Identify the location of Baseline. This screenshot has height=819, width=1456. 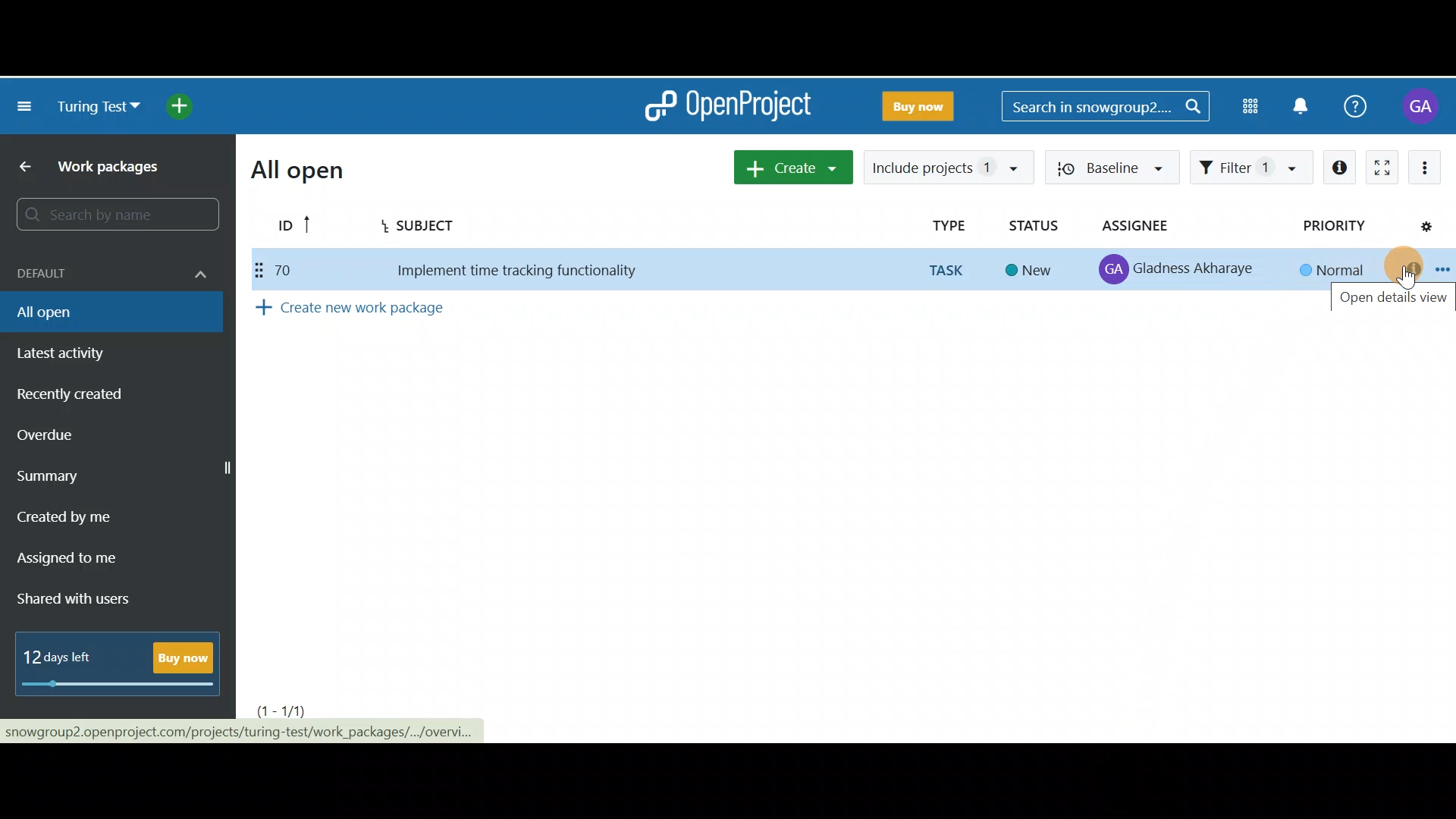
(1115, 165).